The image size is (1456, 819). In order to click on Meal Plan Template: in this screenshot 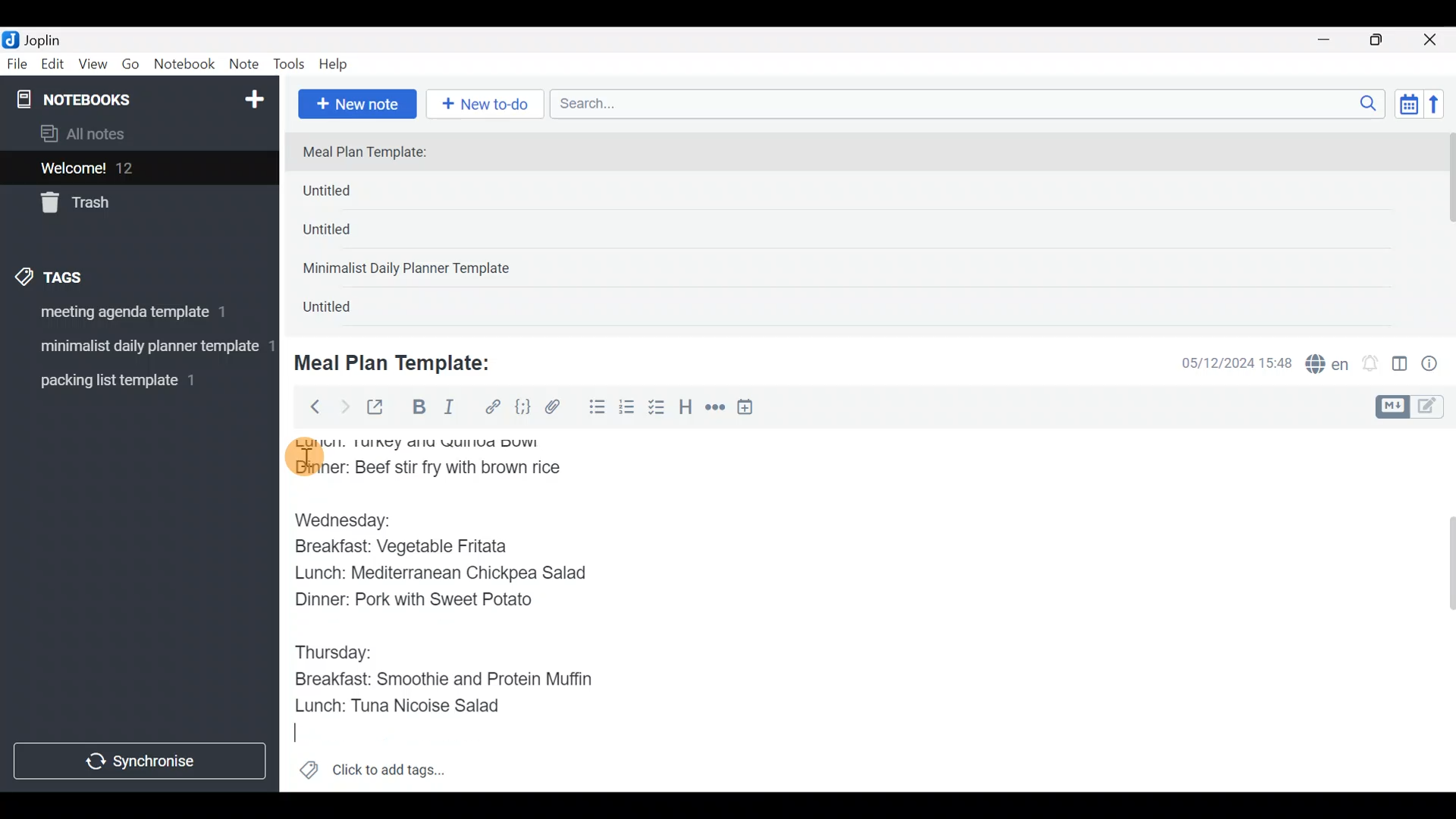, I will do `click(374, 153)`.